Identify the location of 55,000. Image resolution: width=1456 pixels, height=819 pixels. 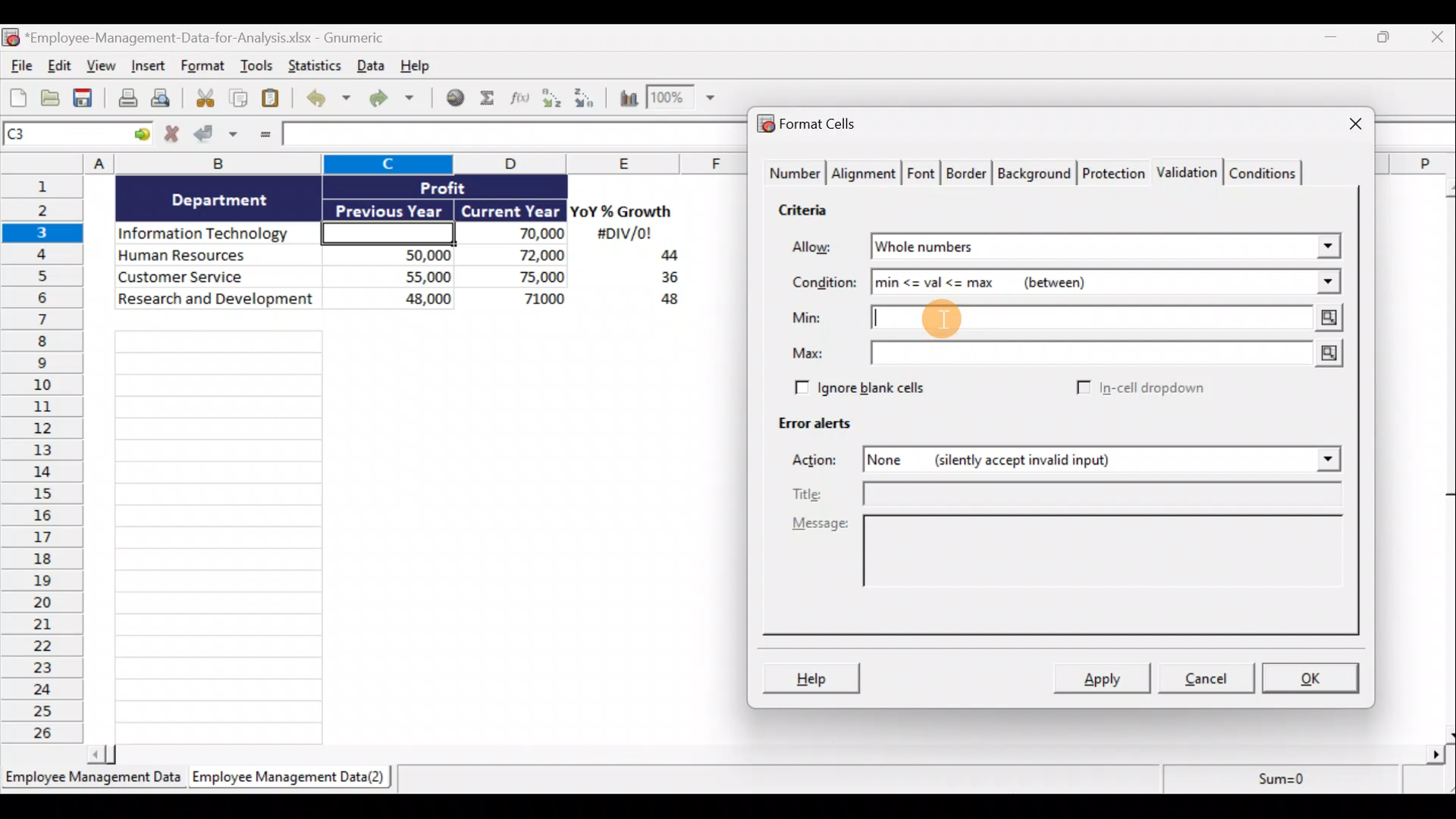
(397, 276).